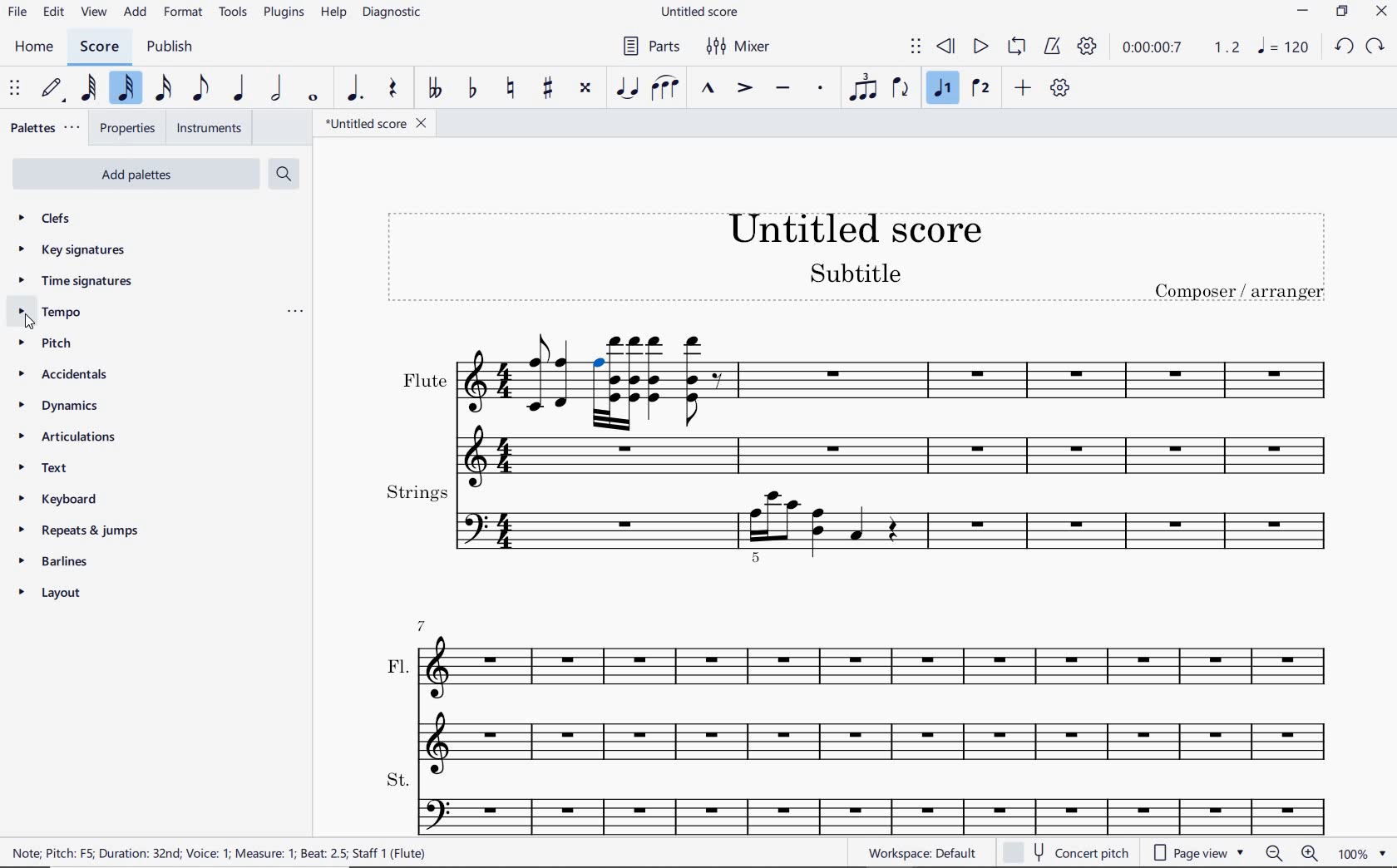 The width and height of the screenshot is (1397, 868). Describe the element at coordinates (512, 89) in the screenshot. I see `TOGGLE NATURAL` at that location.